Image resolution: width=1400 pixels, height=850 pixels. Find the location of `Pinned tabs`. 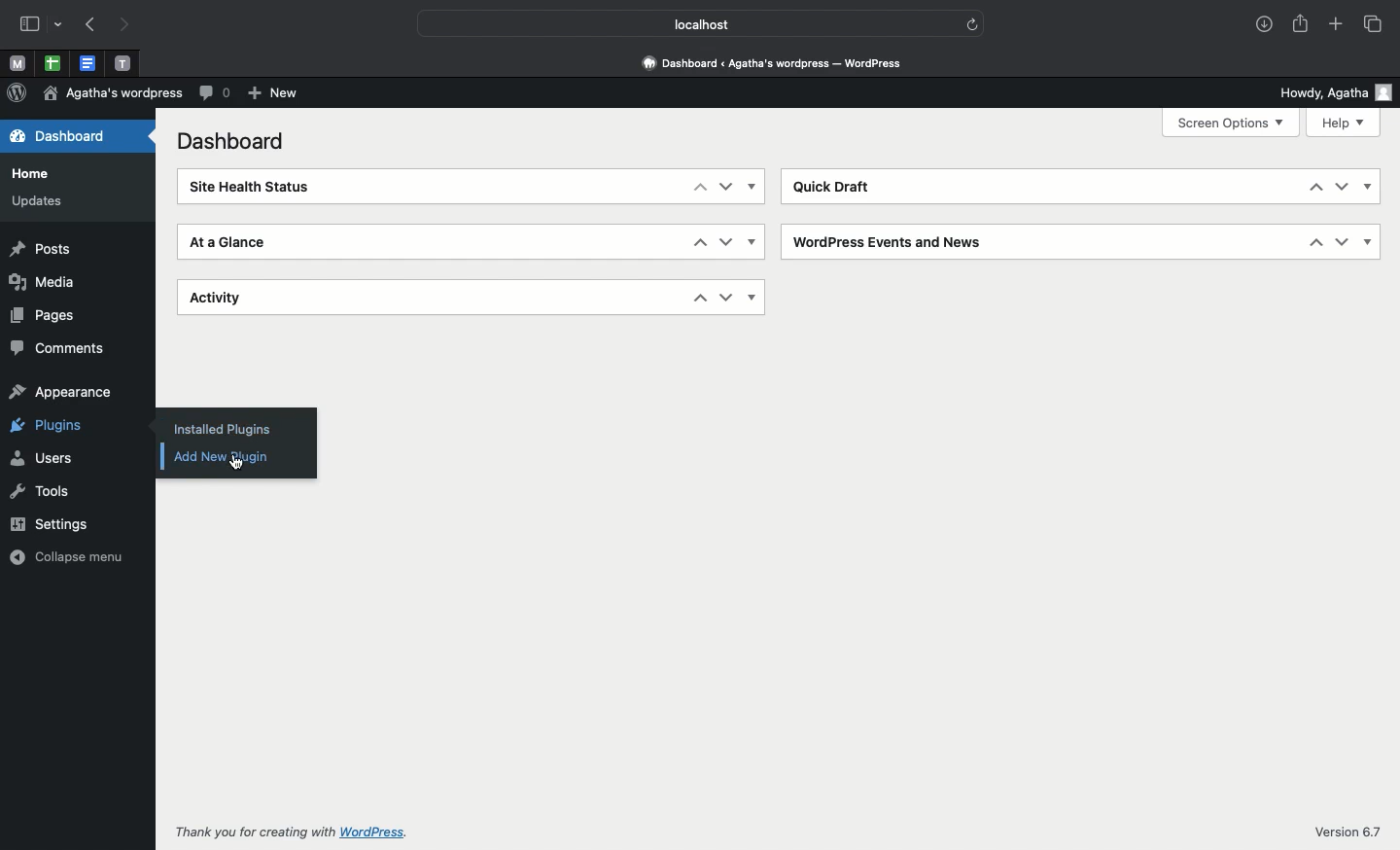

Pinned tabs is located at coordinates (89, 64).